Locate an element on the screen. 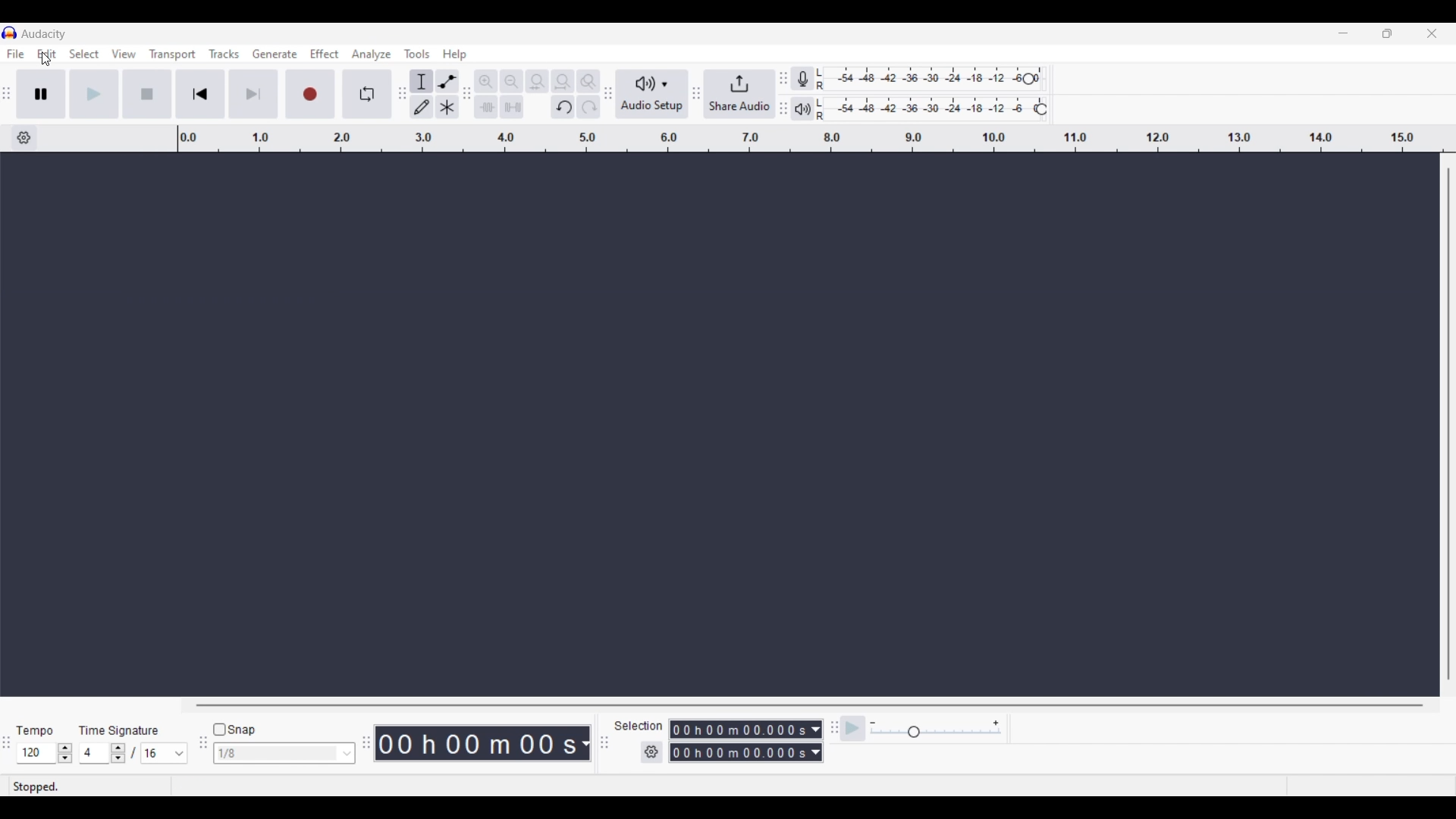 The image size is (1456, 819). Playback level is located at coordinates (932, 109).